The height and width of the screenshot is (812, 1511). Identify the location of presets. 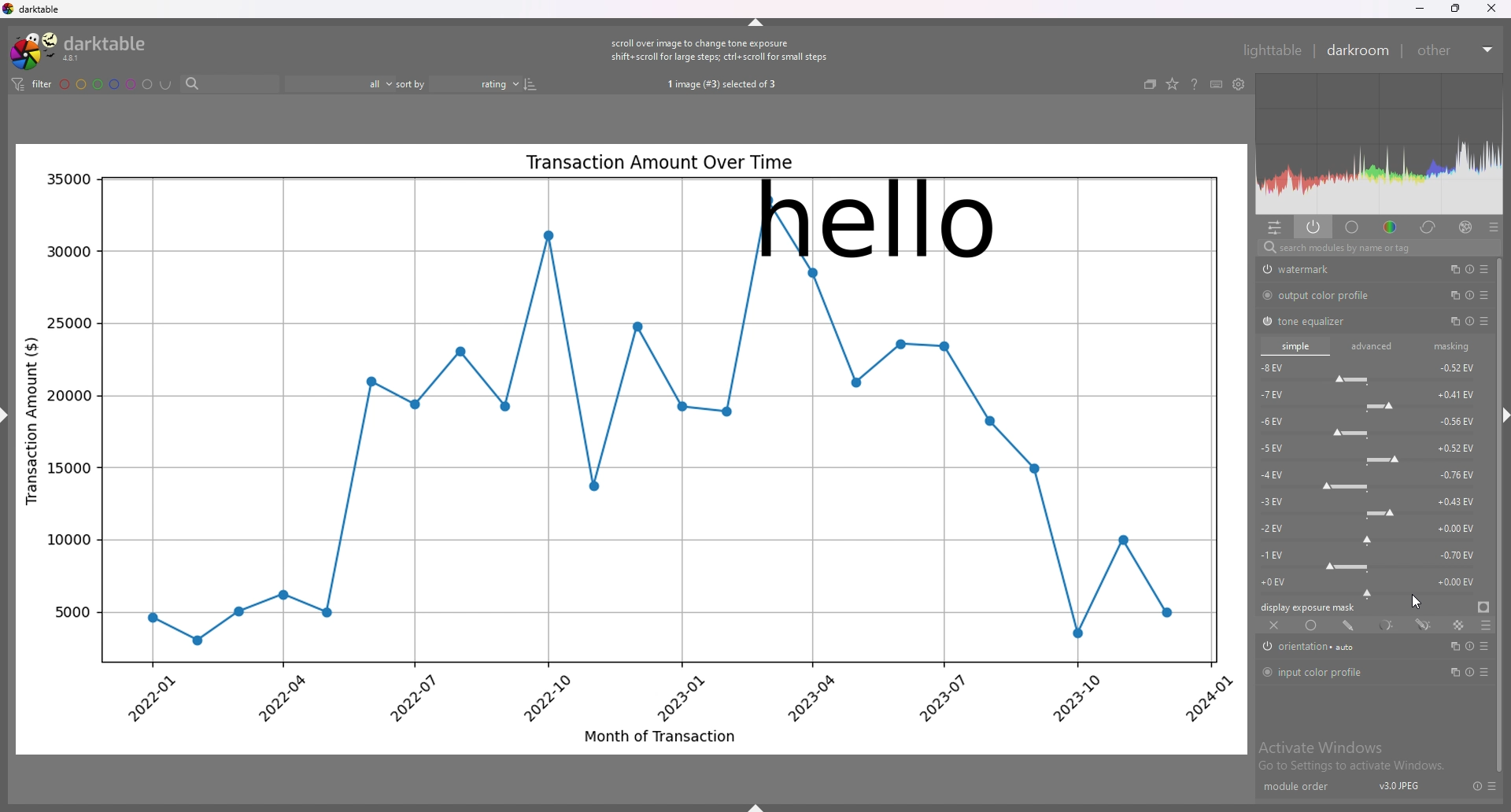
(1491, 786).